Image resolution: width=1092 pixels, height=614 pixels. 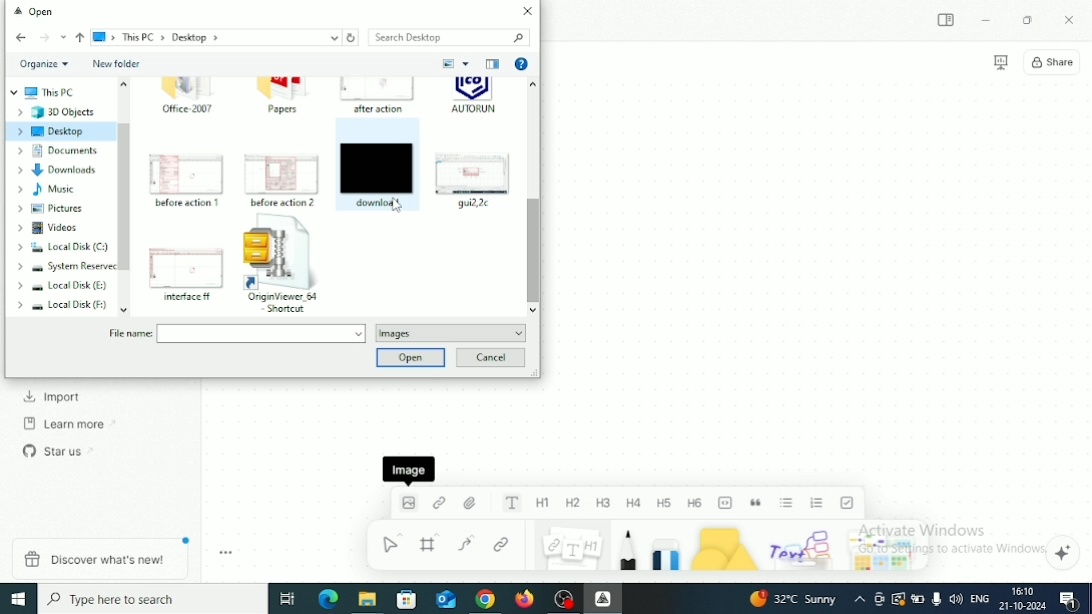 I want to click on This PC, so click(x=42, y=93).